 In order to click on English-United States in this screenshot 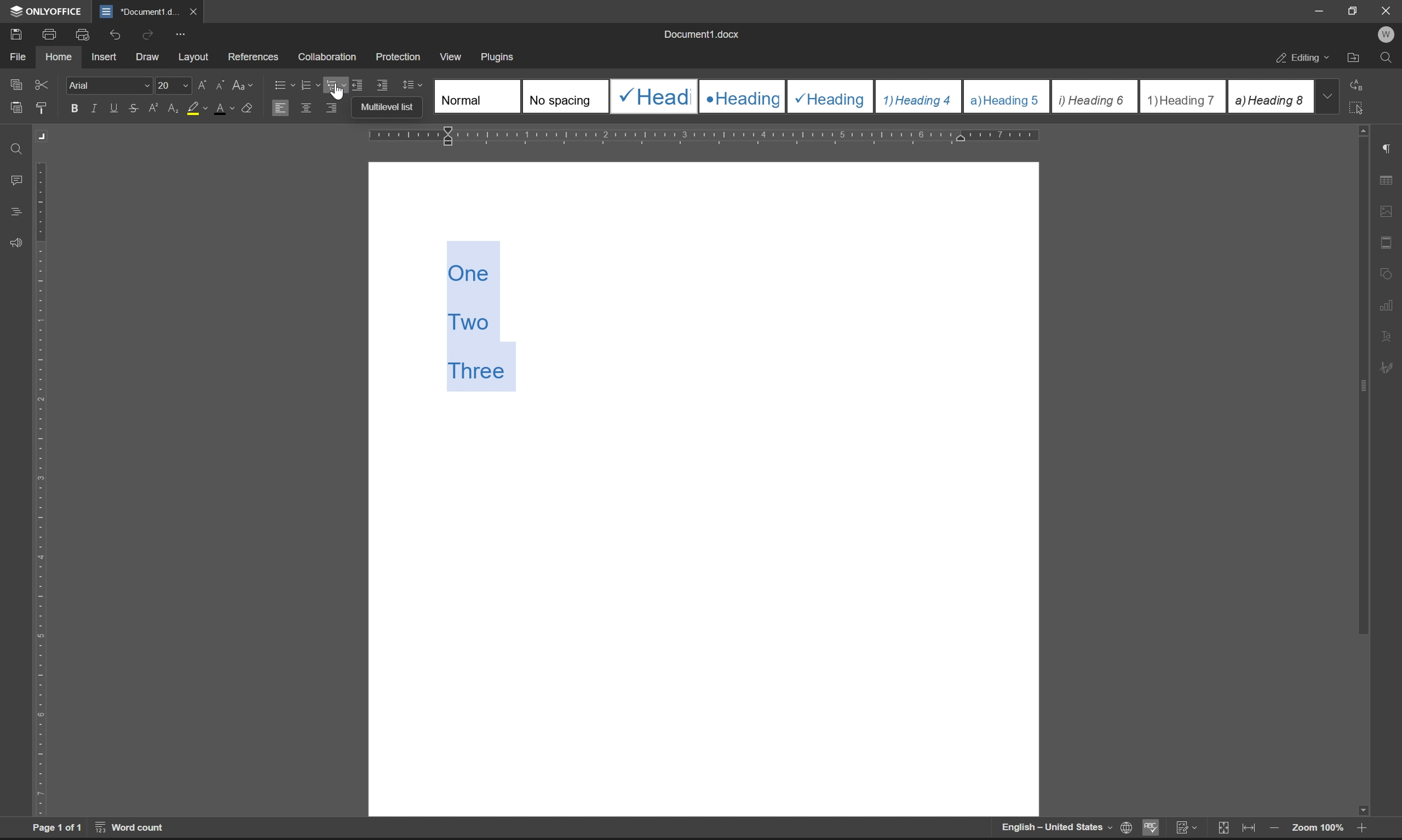, I will do `click(1055, 828)`.